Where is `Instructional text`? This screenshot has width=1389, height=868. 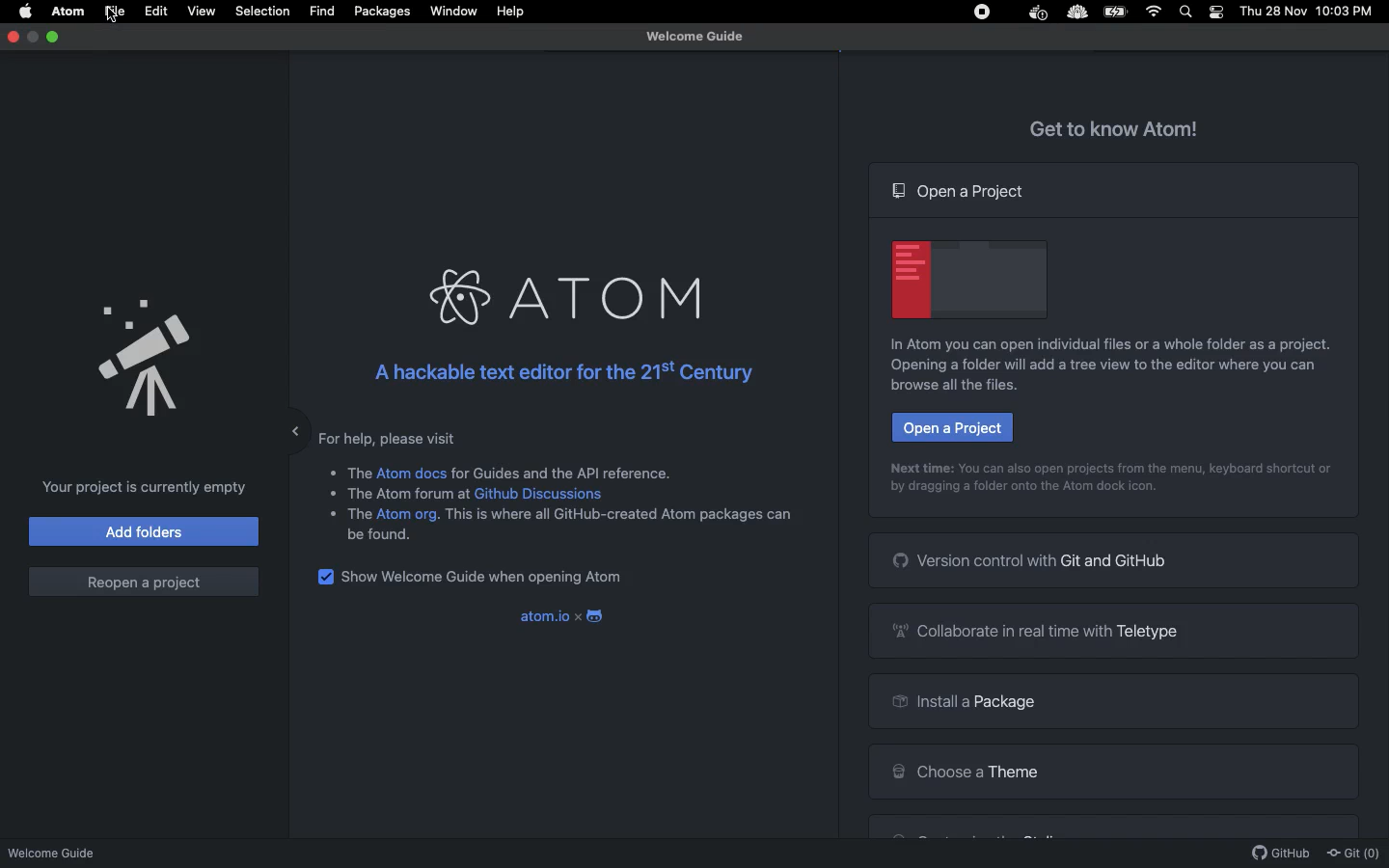 Instructional text is located at coordinates (1114, 467).